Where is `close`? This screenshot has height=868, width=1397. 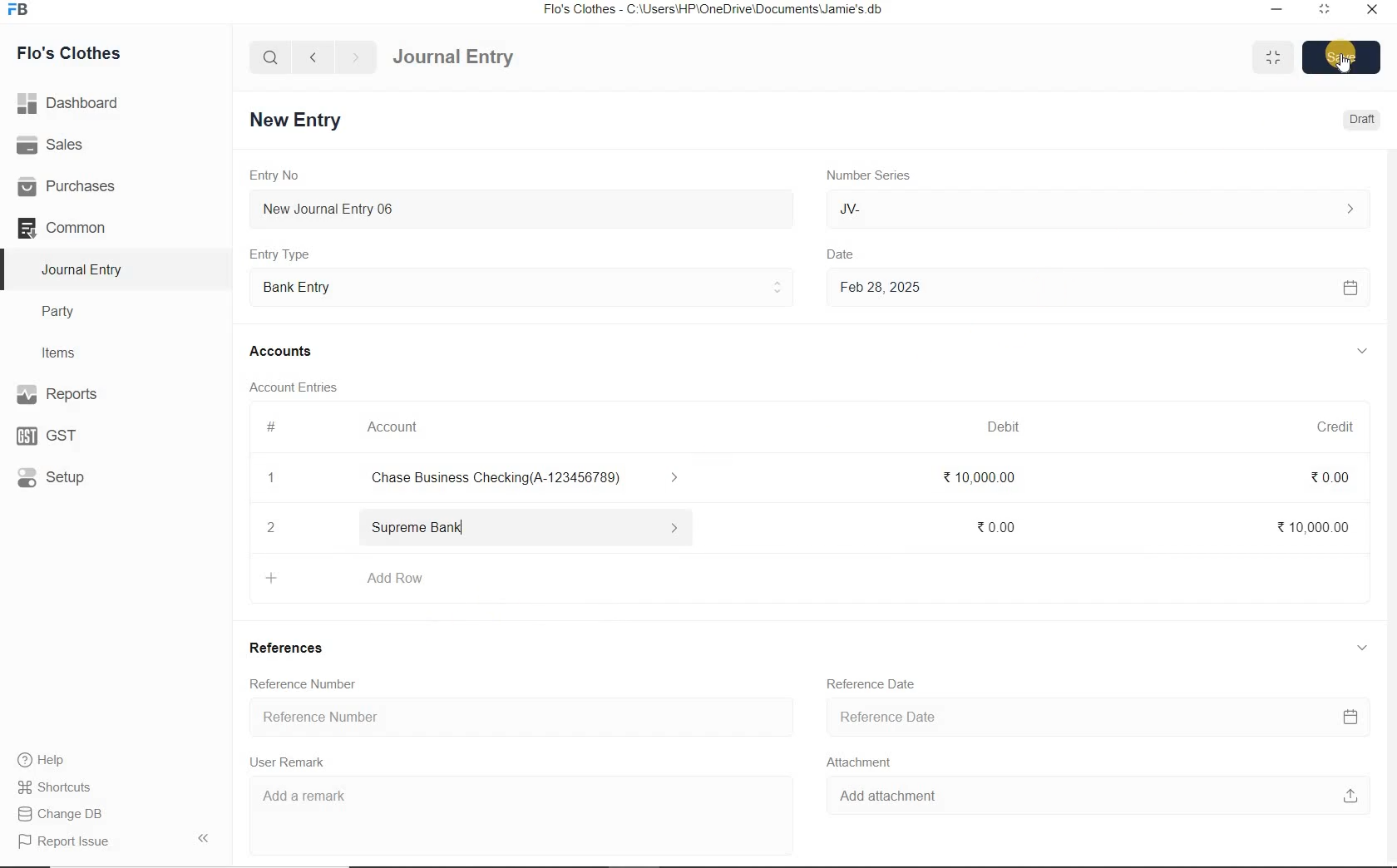
close is located at coordinates (1371, 8).